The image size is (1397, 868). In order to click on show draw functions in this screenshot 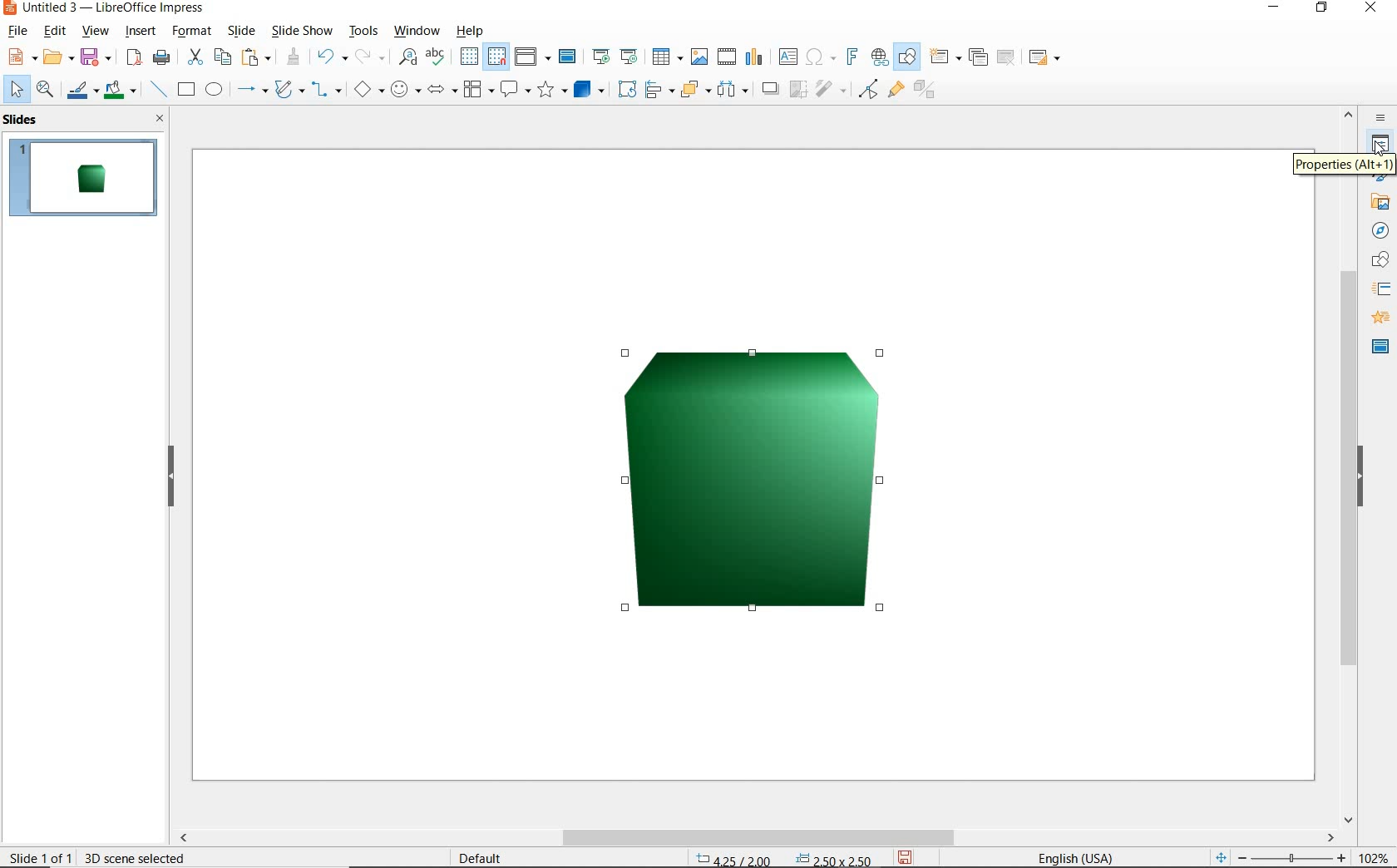, I will do `click(909, 57)`.